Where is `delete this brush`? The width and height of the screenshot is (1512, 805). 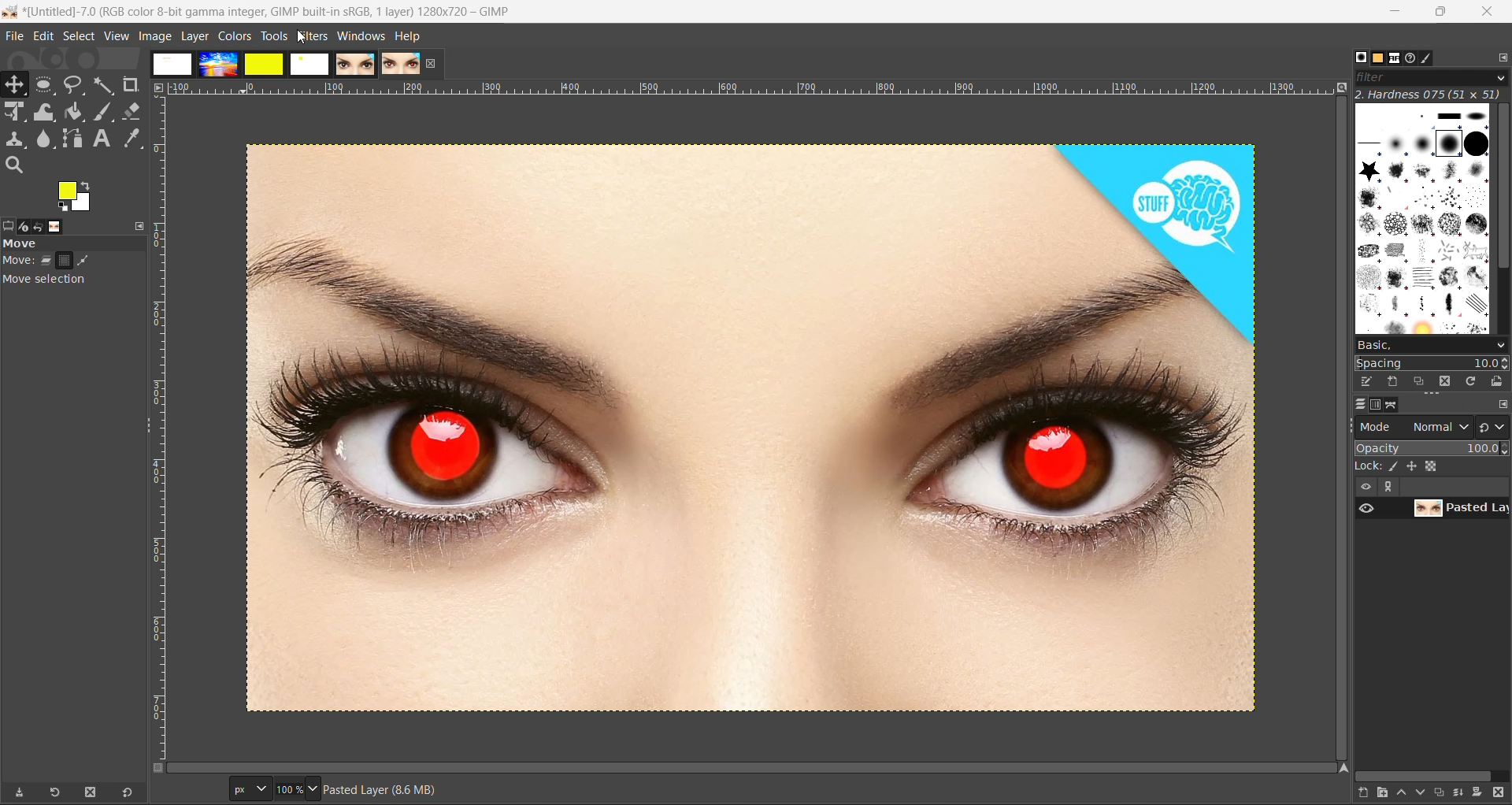 delete this brush is located at coordinates (1442, 382).